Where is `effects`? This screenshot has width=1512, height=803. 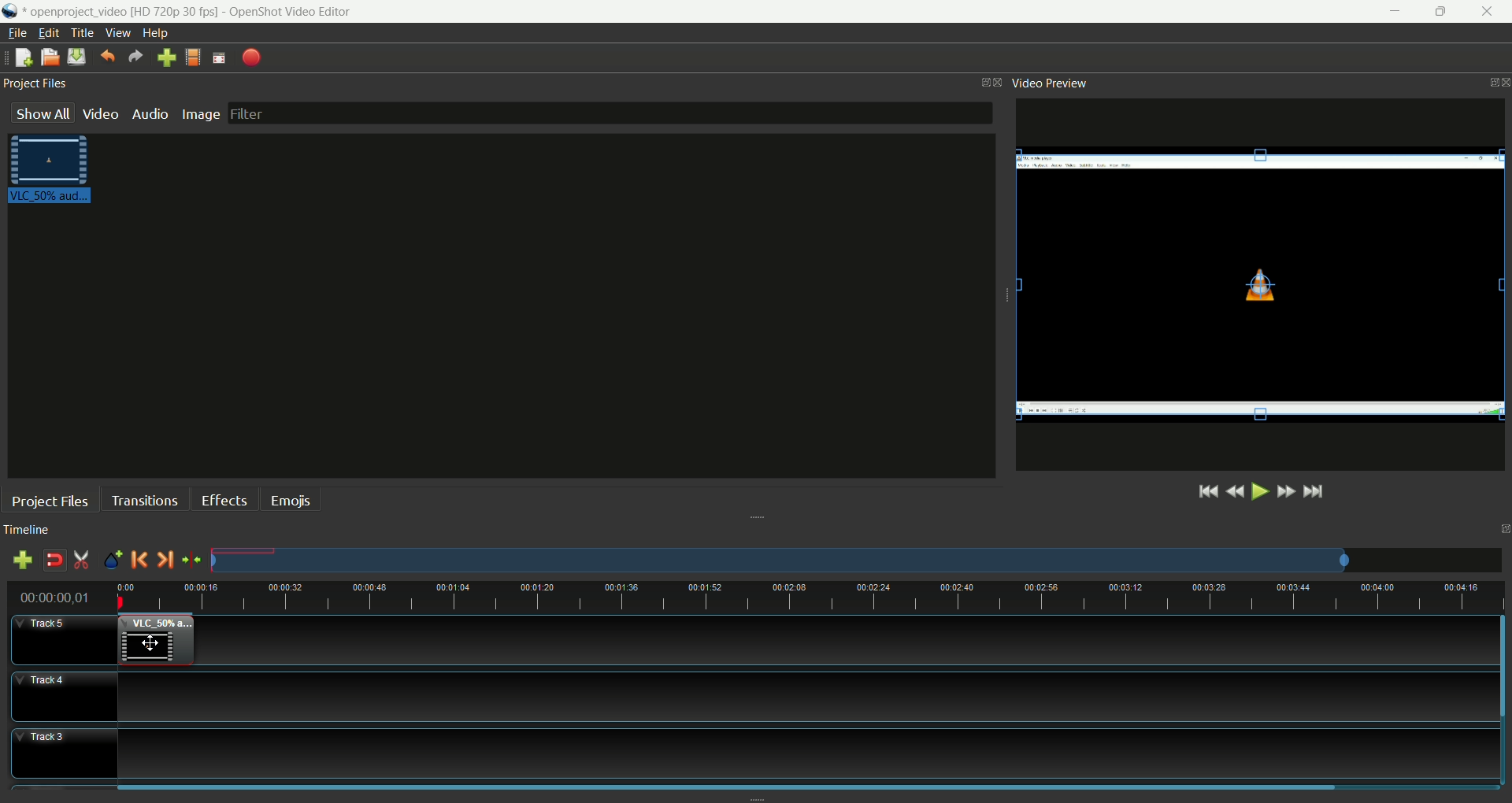 effects is located at coordinates (225, 498).